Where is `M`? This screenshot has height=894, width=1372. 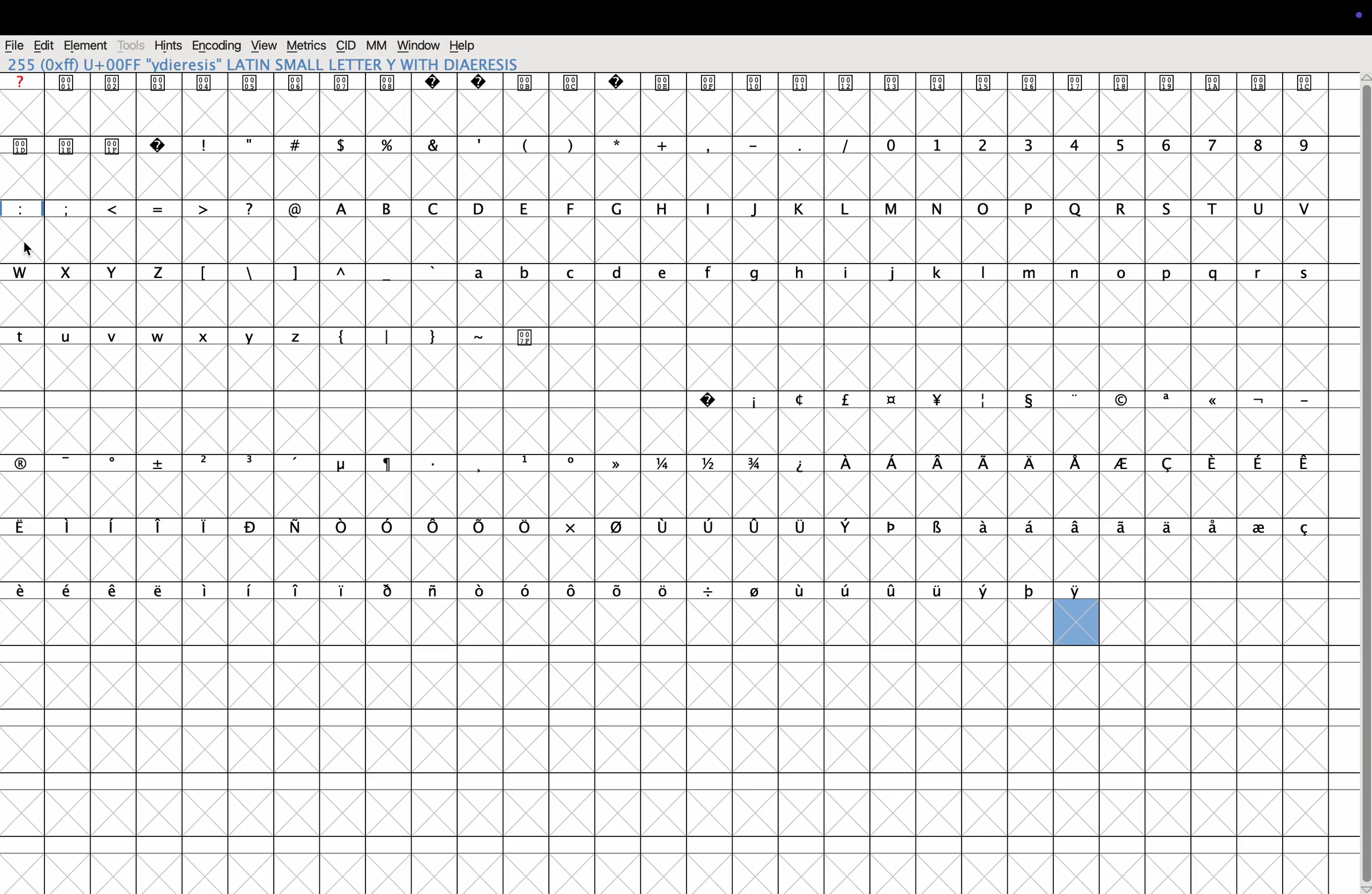
M is located at coordinates (897, 231).